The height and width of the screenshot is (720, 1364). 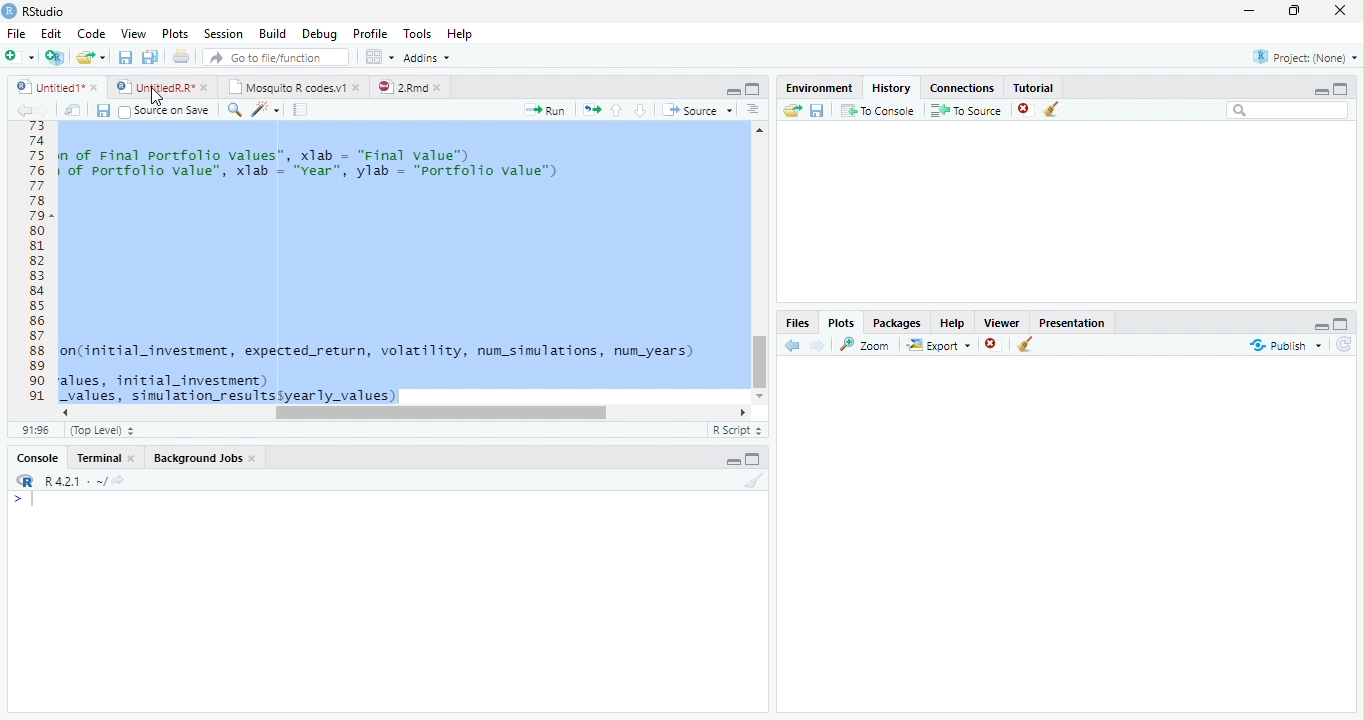 What do you see at coordinates (866, 344) in the screenshot?
I see `Zoom` at bounding box center [866, 344].